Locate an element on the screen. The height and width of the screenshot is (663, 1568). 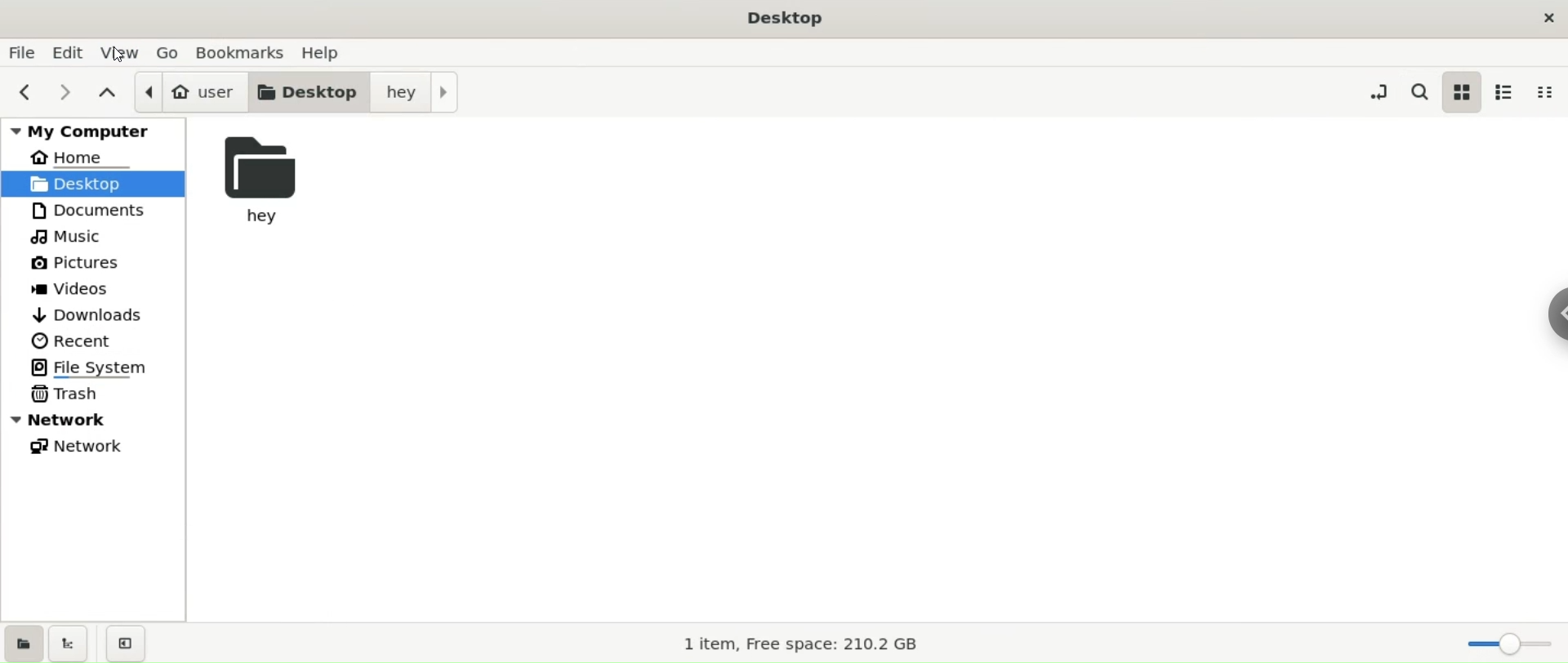
trash is located at coordinates (105, 394).